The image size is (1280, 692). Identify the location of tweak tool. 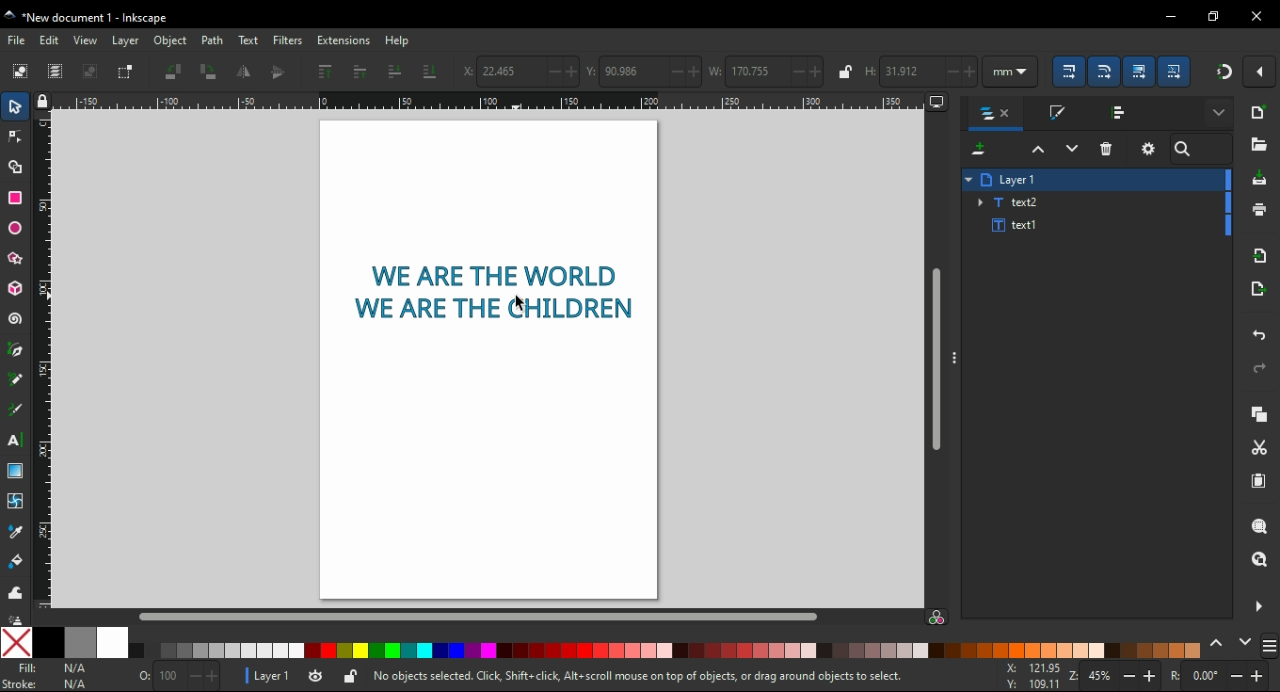
(16, 590).